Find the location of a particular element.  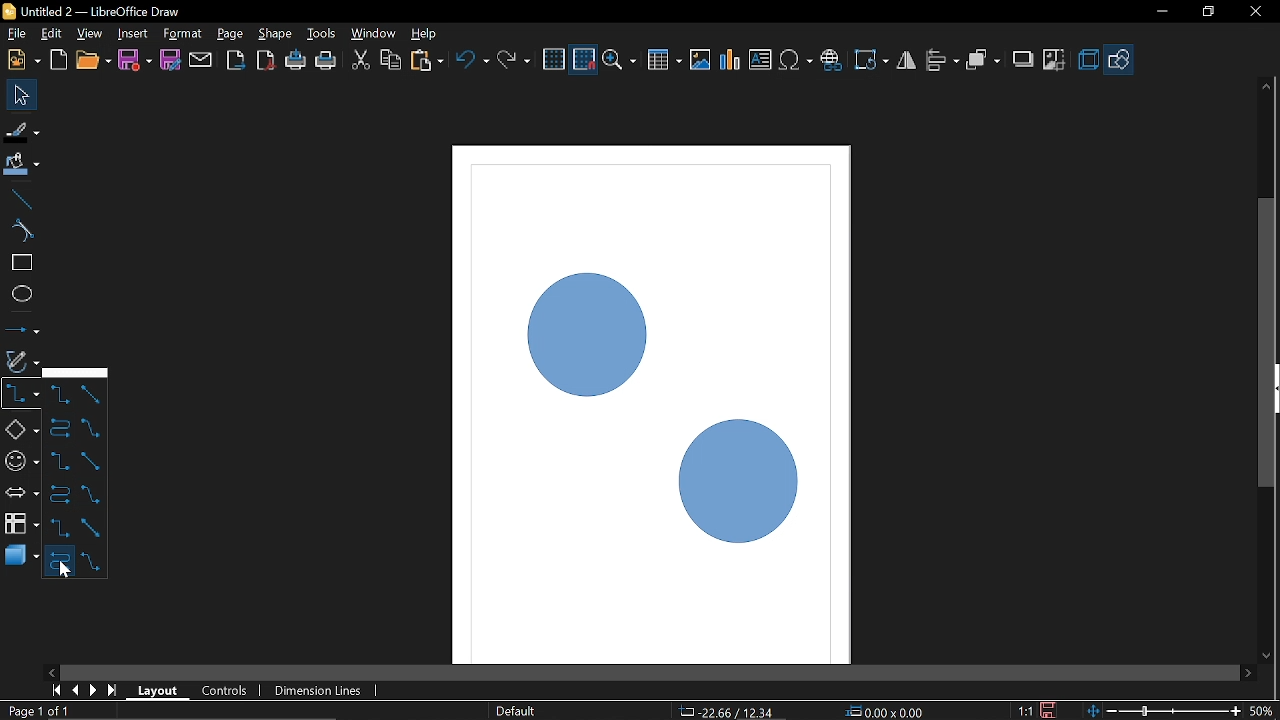

COnnector is located at coordinates (20, 393).